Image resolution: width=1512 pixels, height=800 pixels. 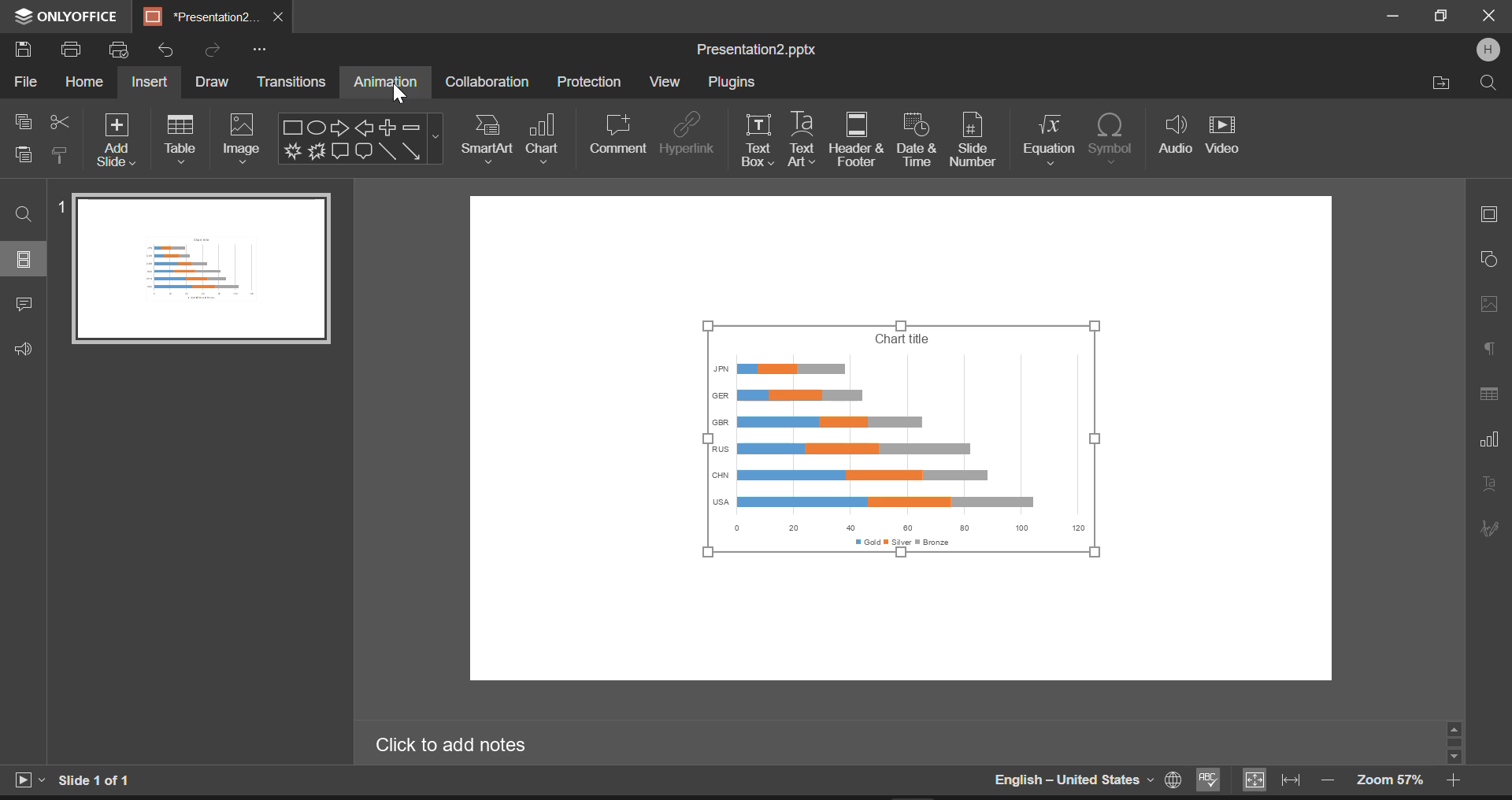 I want to click on Left Arrow, so click(x=364, y=127).